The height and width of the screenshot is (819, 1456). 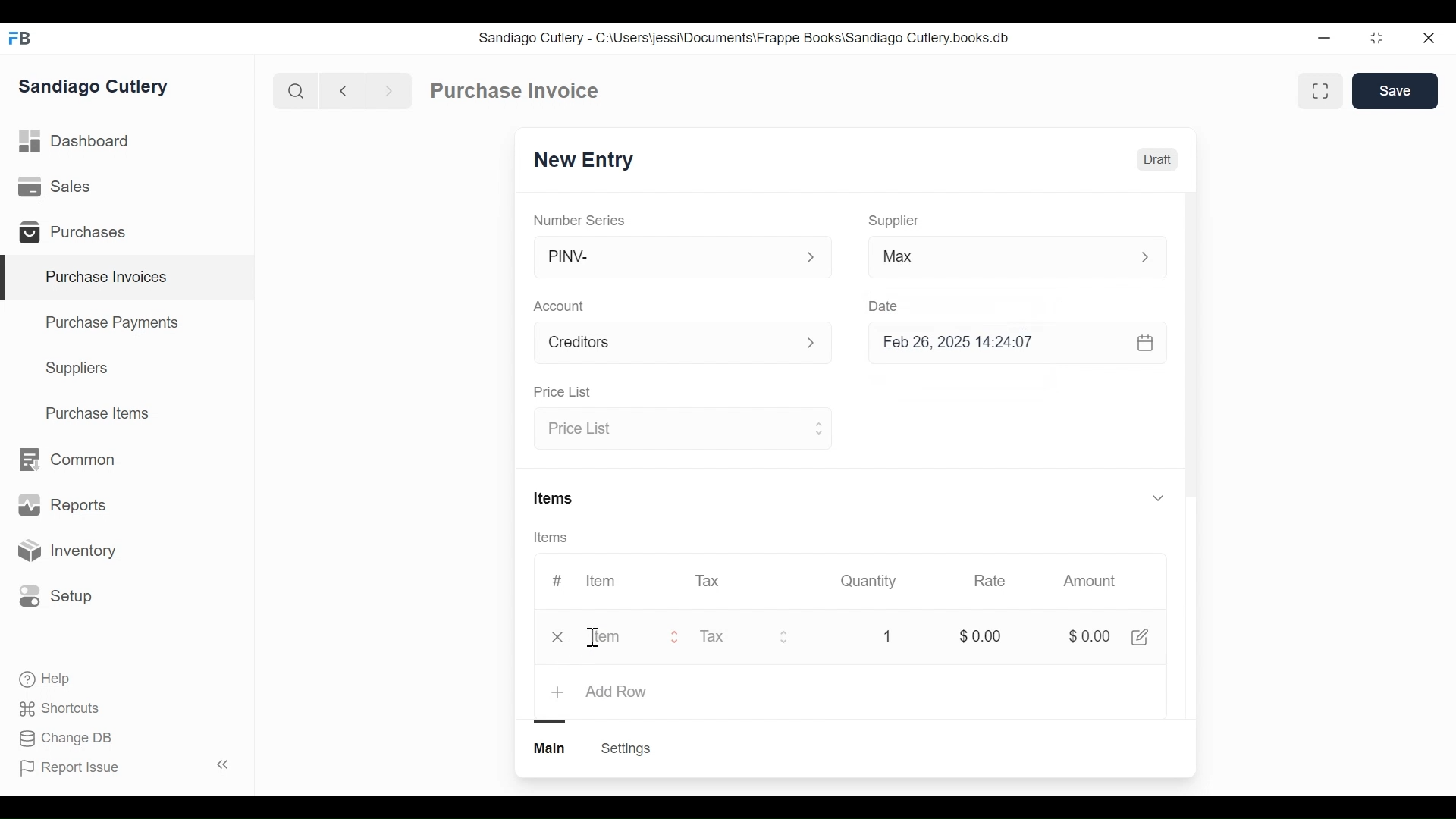 What do you see at coordinates (894, 221) in the screenshot?
I see `Supplier` at bounding box center [894, 221].